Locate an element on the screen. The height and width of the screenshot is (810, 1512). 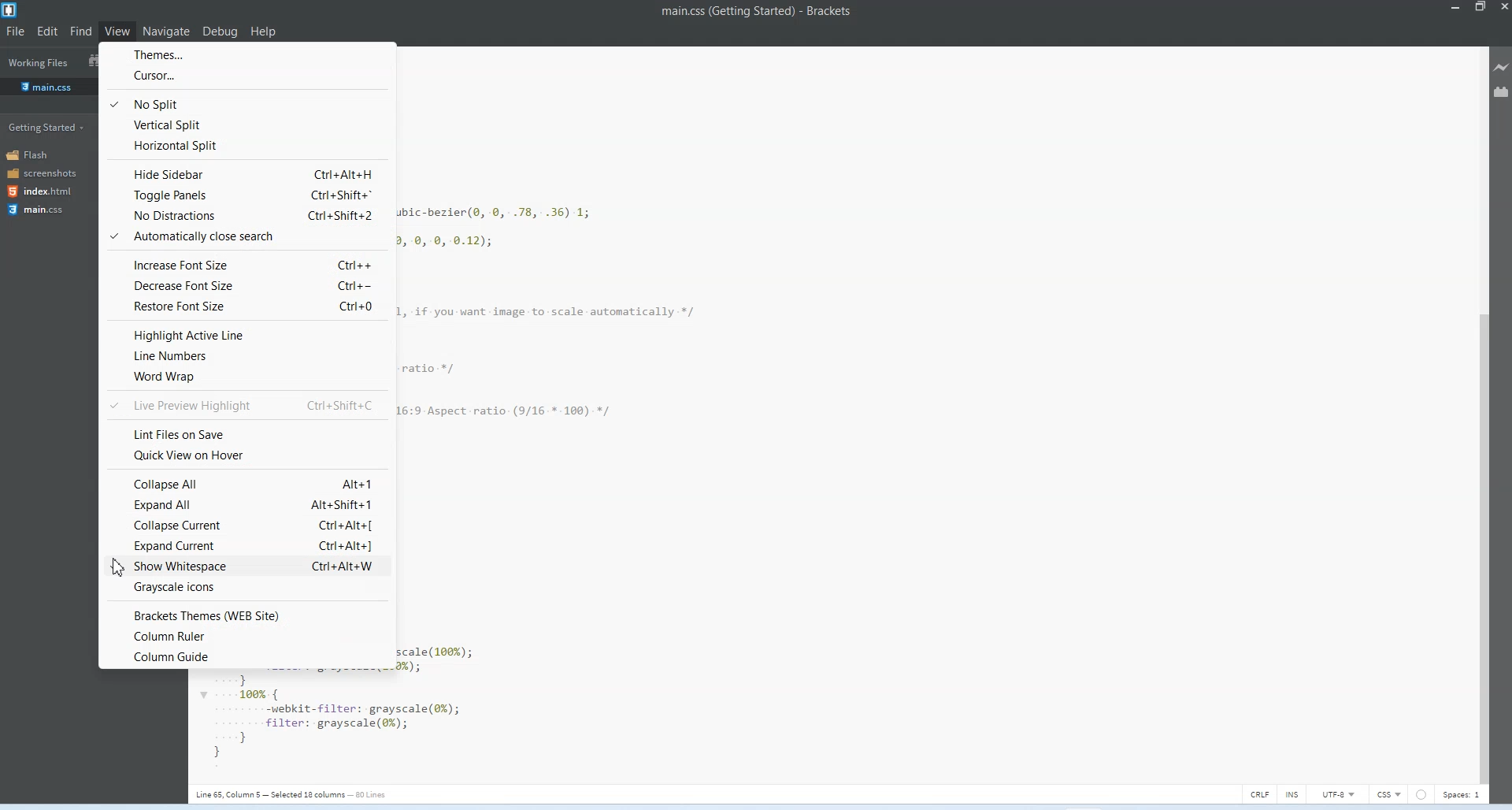
Getting started is located at coordinates (46, 128).